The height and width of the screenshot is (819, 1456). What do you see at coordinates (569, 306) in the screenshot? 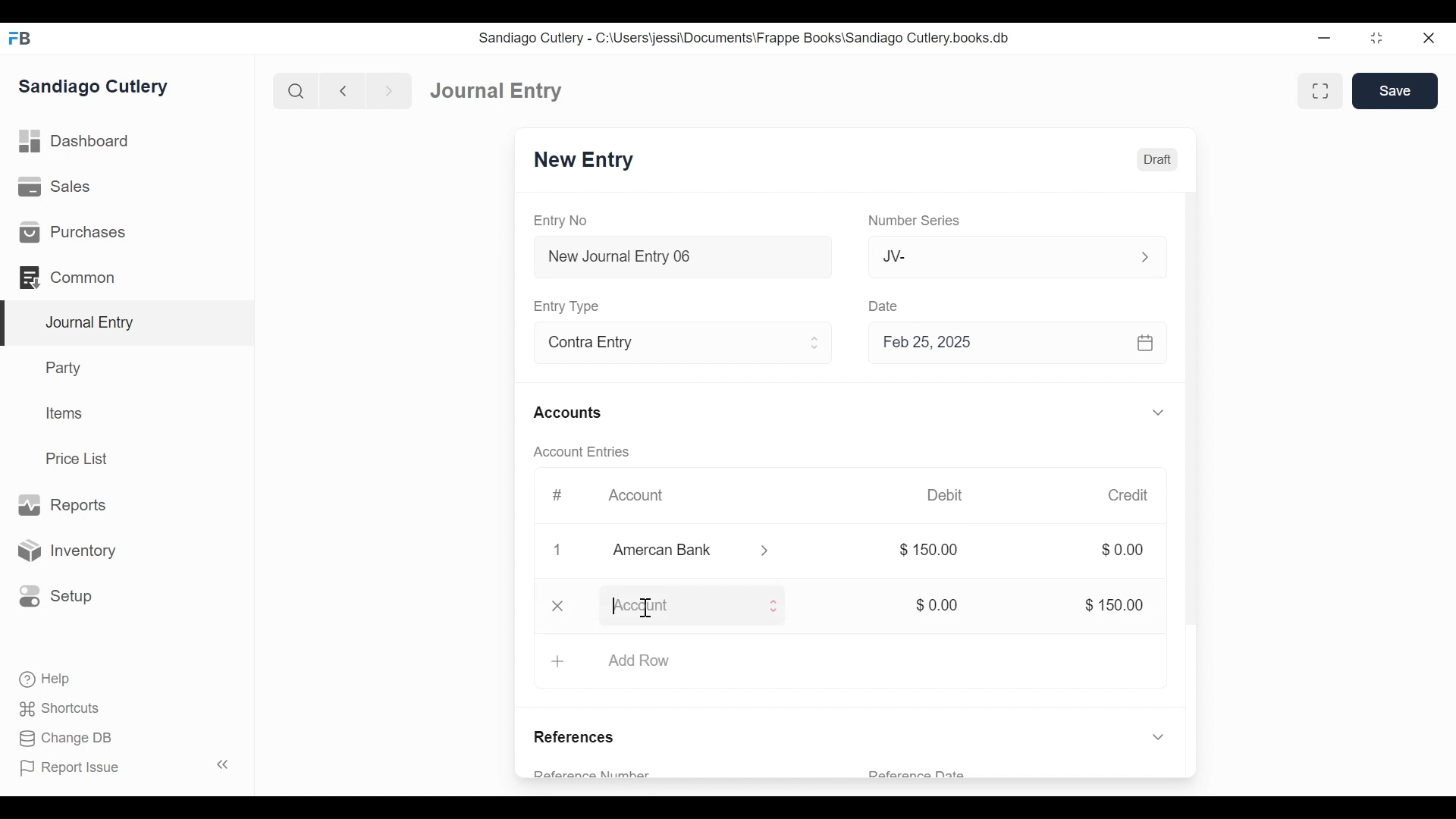
I see `Entry Type` at bounding box center [569, 306].